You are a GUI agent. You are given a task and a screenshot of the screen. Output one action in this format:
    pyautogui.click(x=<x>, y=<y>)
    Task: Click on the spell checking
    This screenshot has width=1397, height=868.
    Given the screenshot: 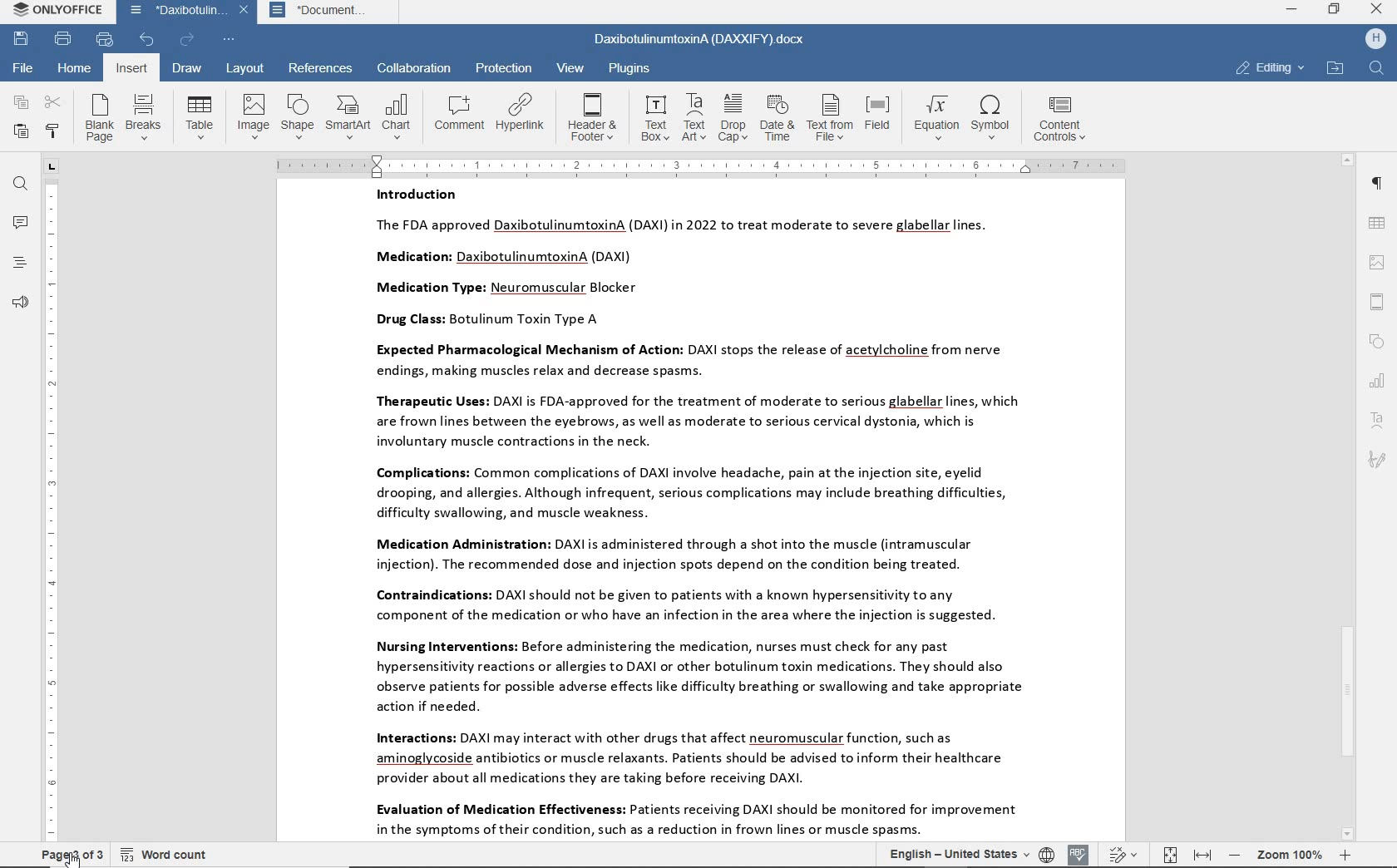 What is the action you would take?
    pyautogui.click(x=1079, y=853)
    